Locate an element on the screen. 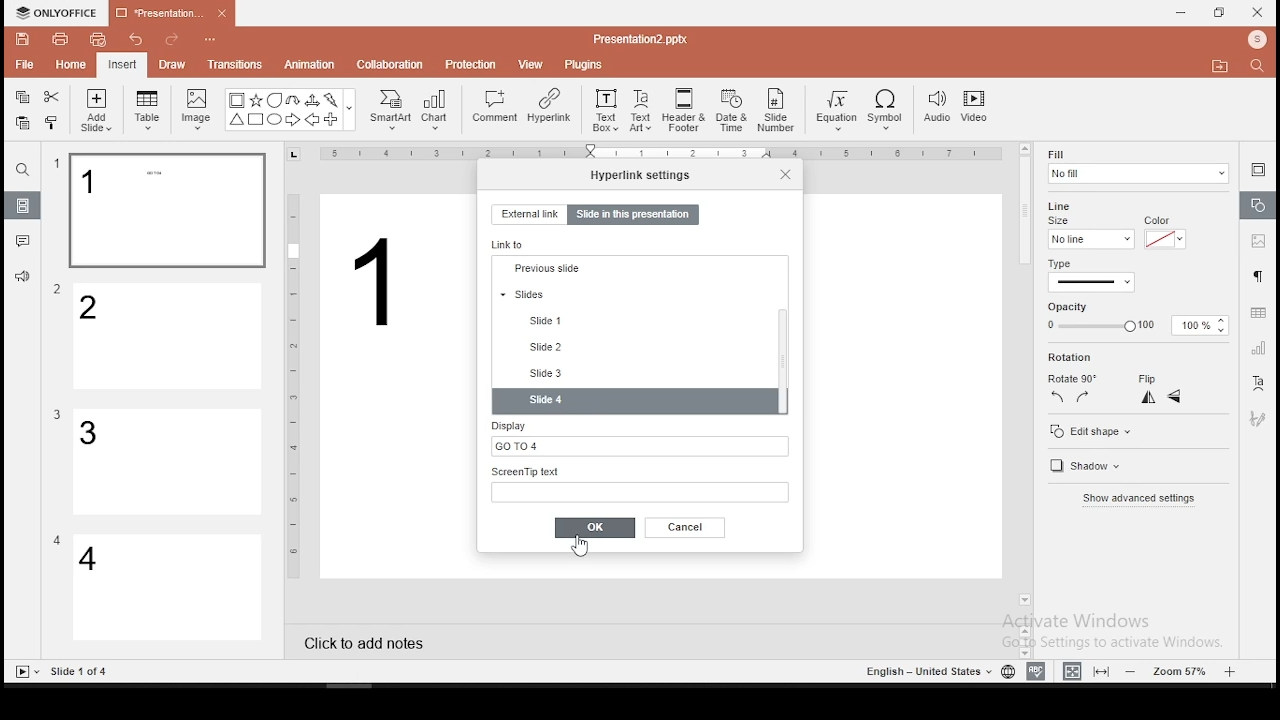 This screenshot has width=1280, height=720. Arrow triways is located at coordinates (313, 100).